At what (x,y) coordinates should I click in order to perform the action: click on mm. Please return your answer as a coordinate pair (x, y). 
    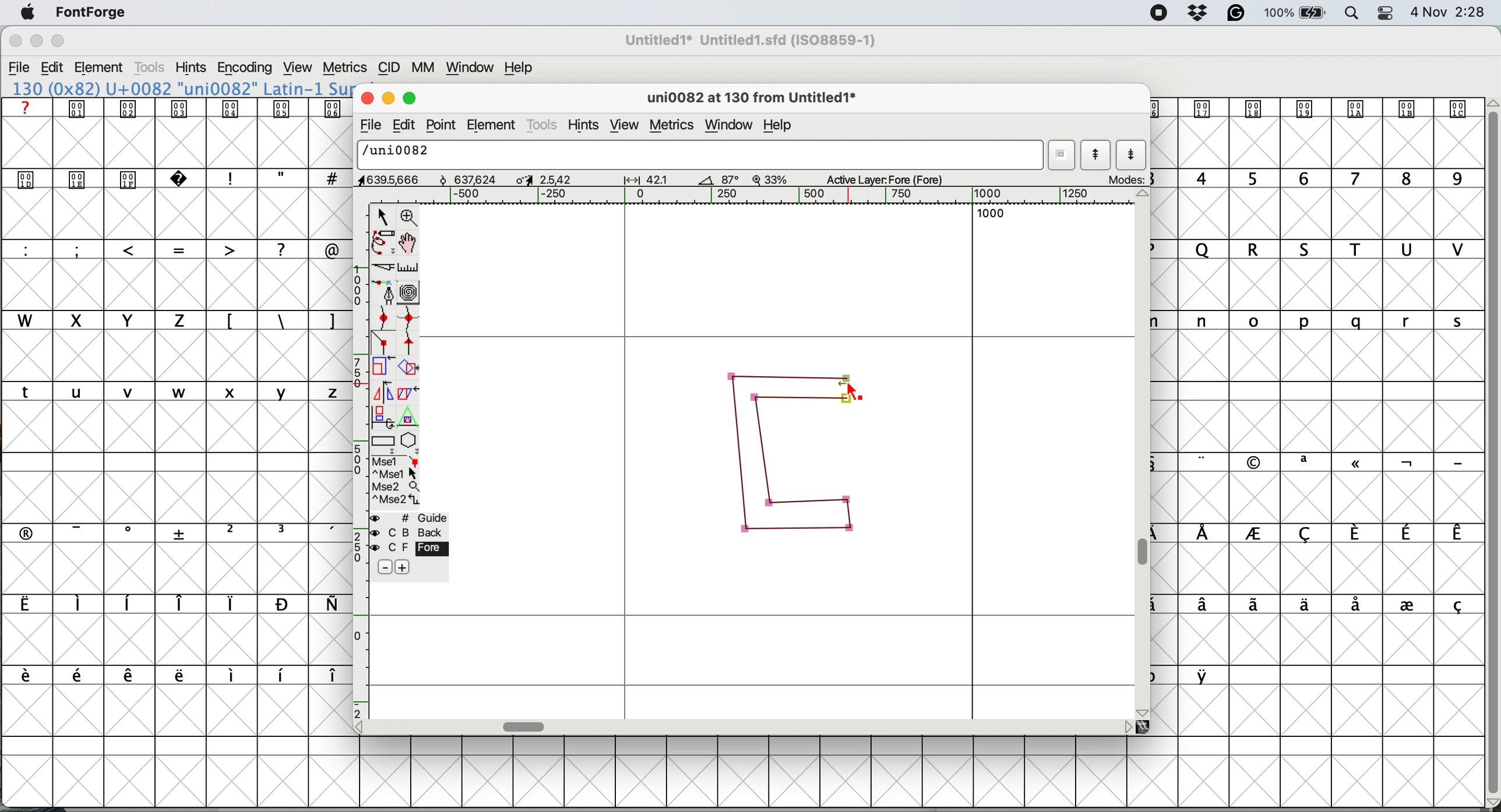
    Looking at the image, I should click on (427, 68).